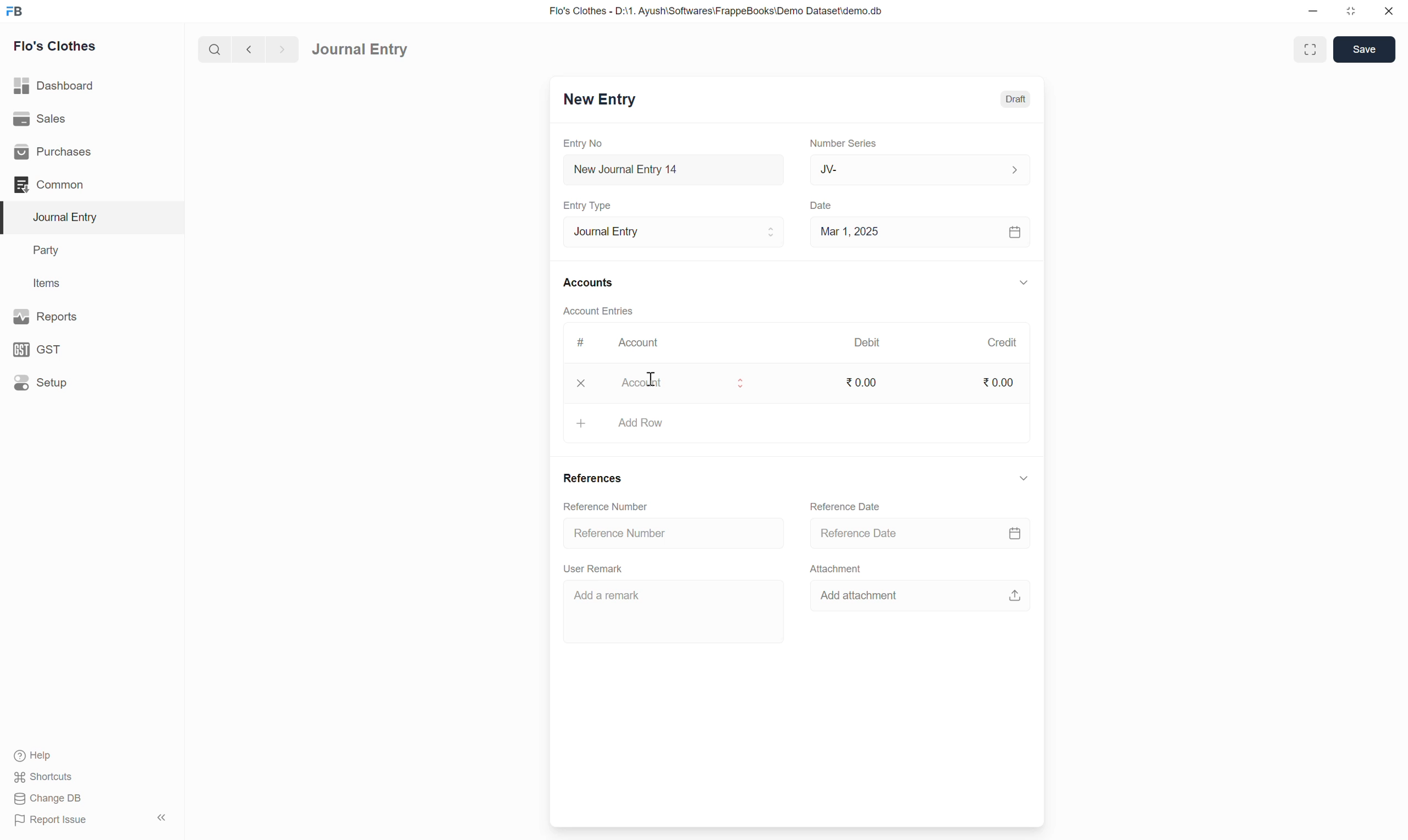  Describe the element at coordinates (585, 143) in the screenshot. I see `Entry No` at that location.